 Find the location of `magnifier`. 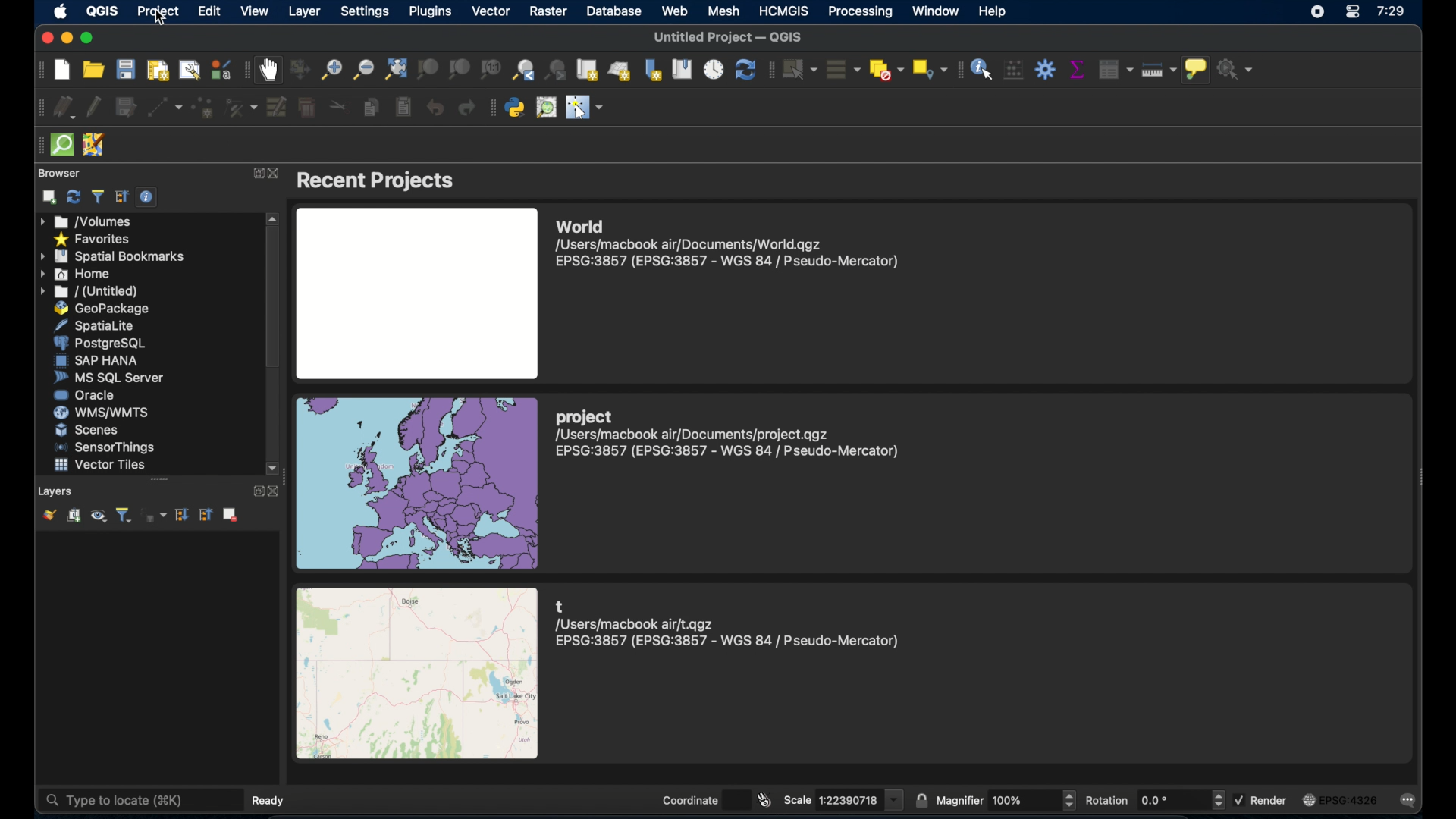

magnifier is located at coordinates (961, 801).